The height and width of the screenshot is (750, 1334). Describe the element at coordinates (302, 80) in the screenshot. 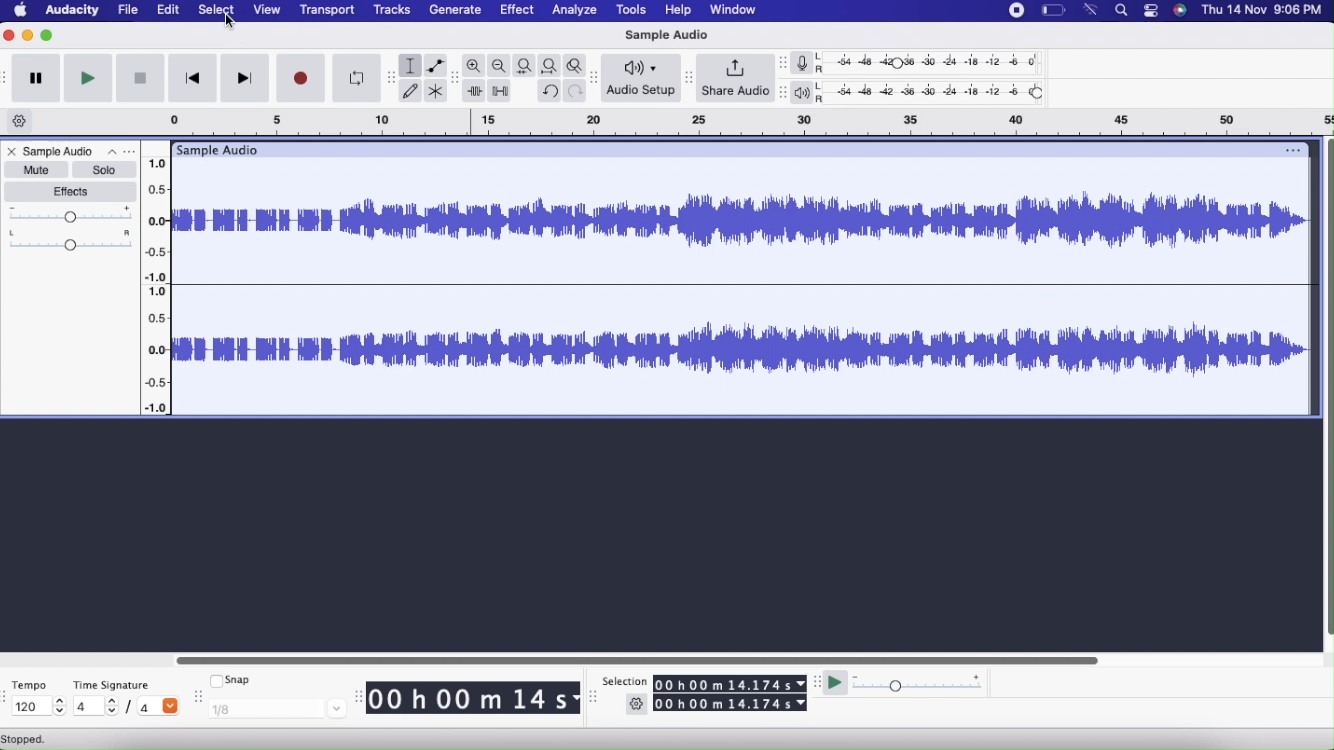

I see `Record` at that location.